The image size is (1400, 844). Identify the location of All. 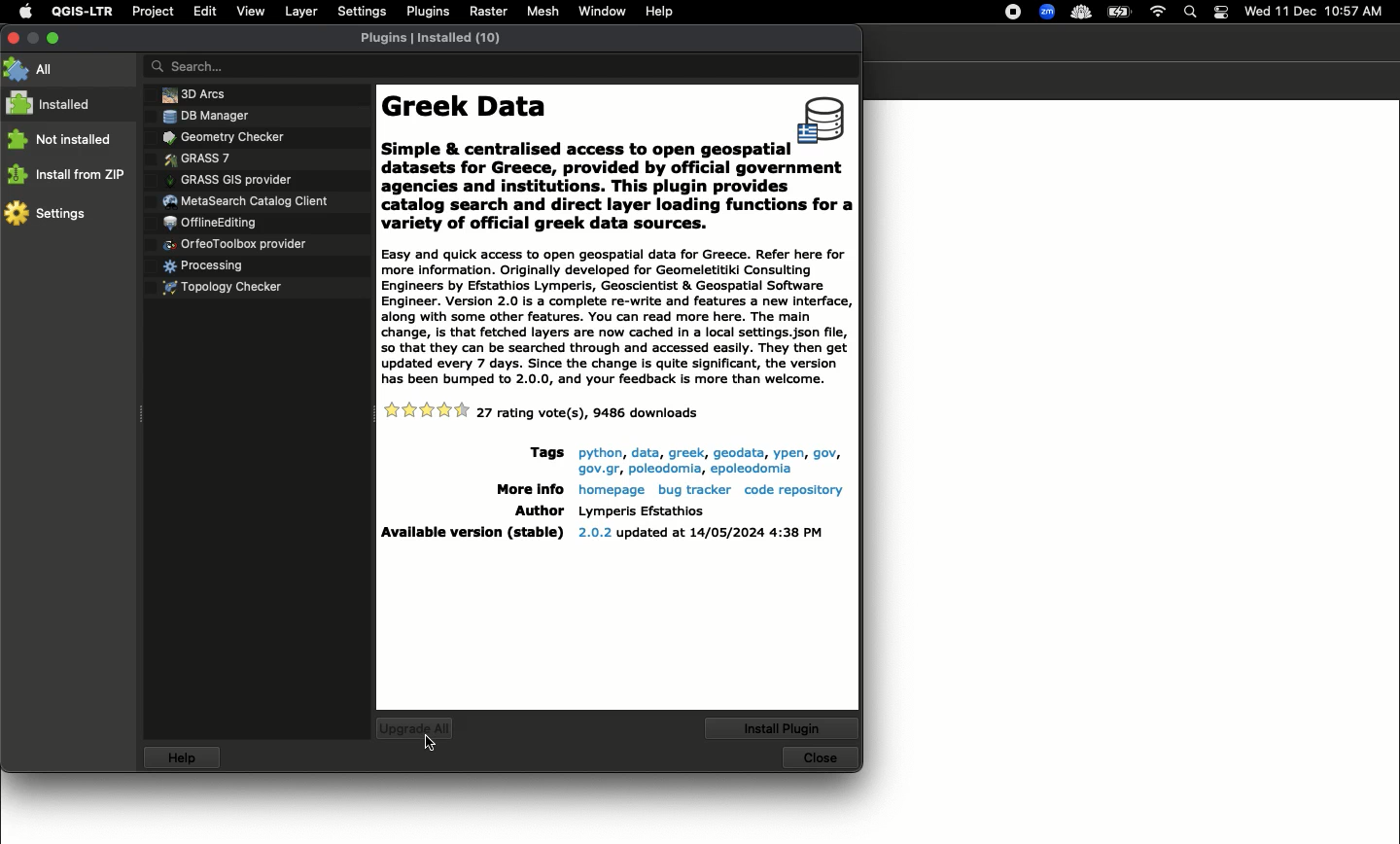
(36, 70).